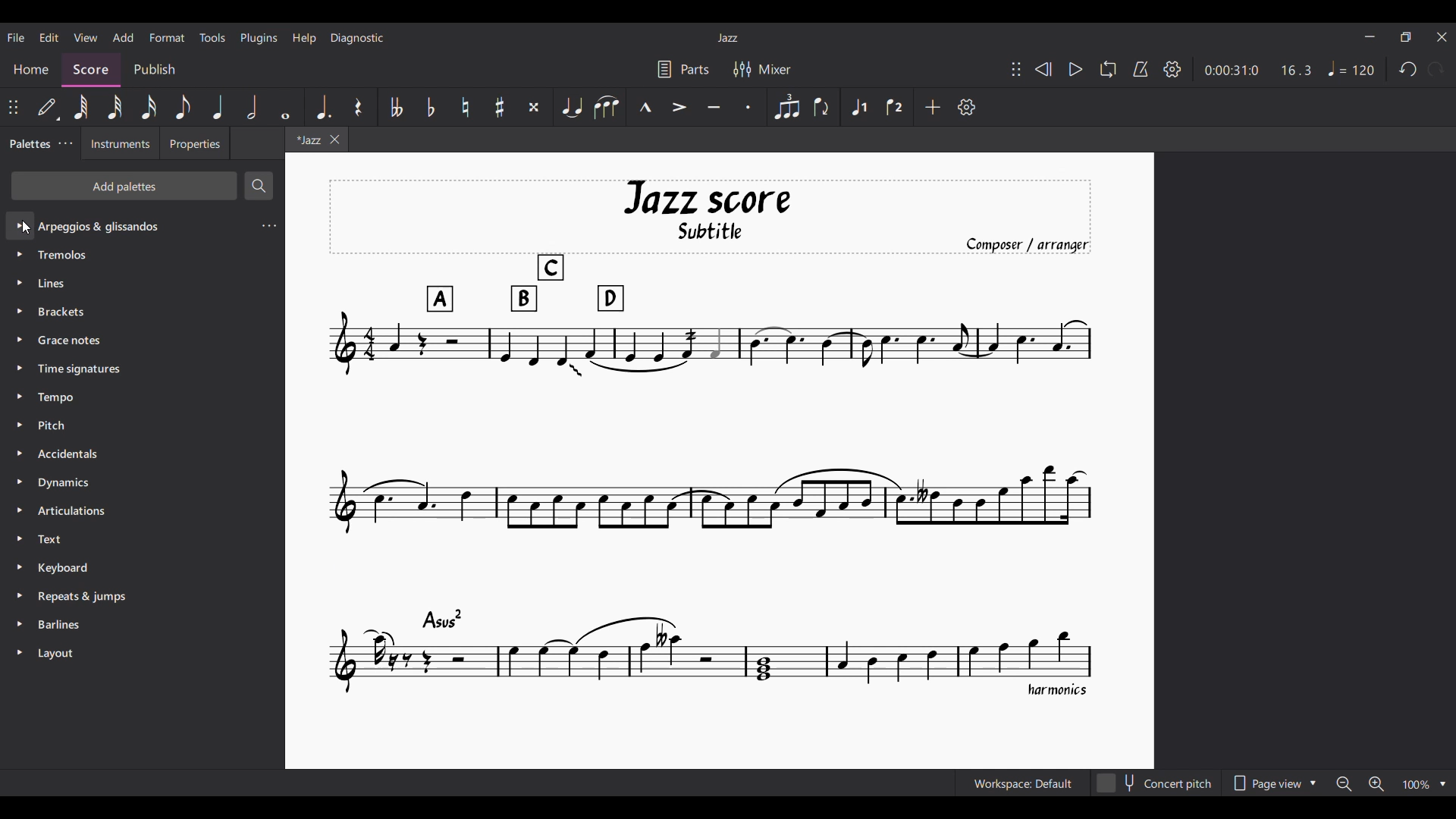 The width and height of the screenshot is (1456, 819). Describe the element at coordinates (61, 623) in the screenshot. I see `Barlines` at that location.